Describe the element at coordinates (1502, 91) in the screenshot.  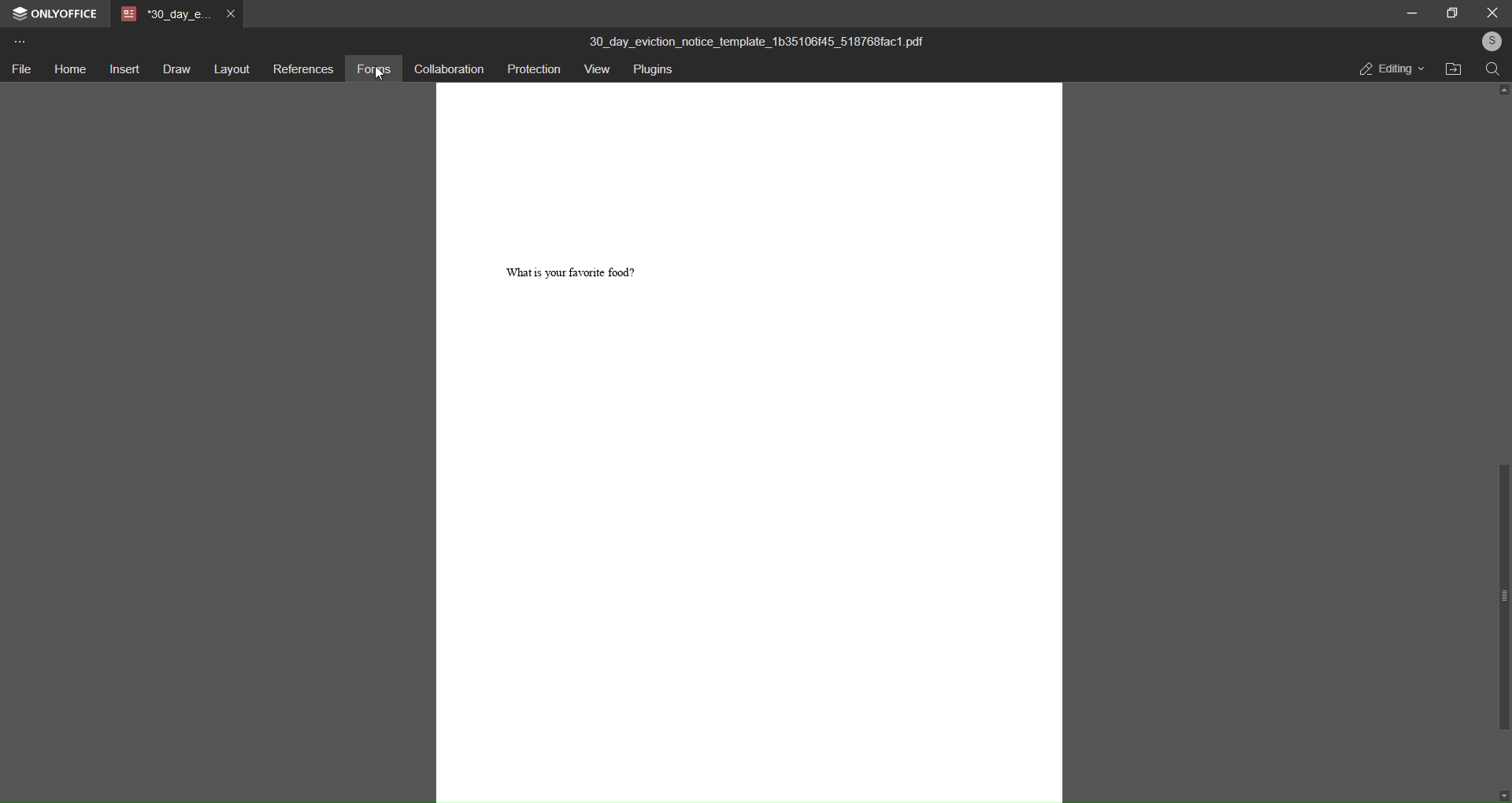
I see `up` at that location.